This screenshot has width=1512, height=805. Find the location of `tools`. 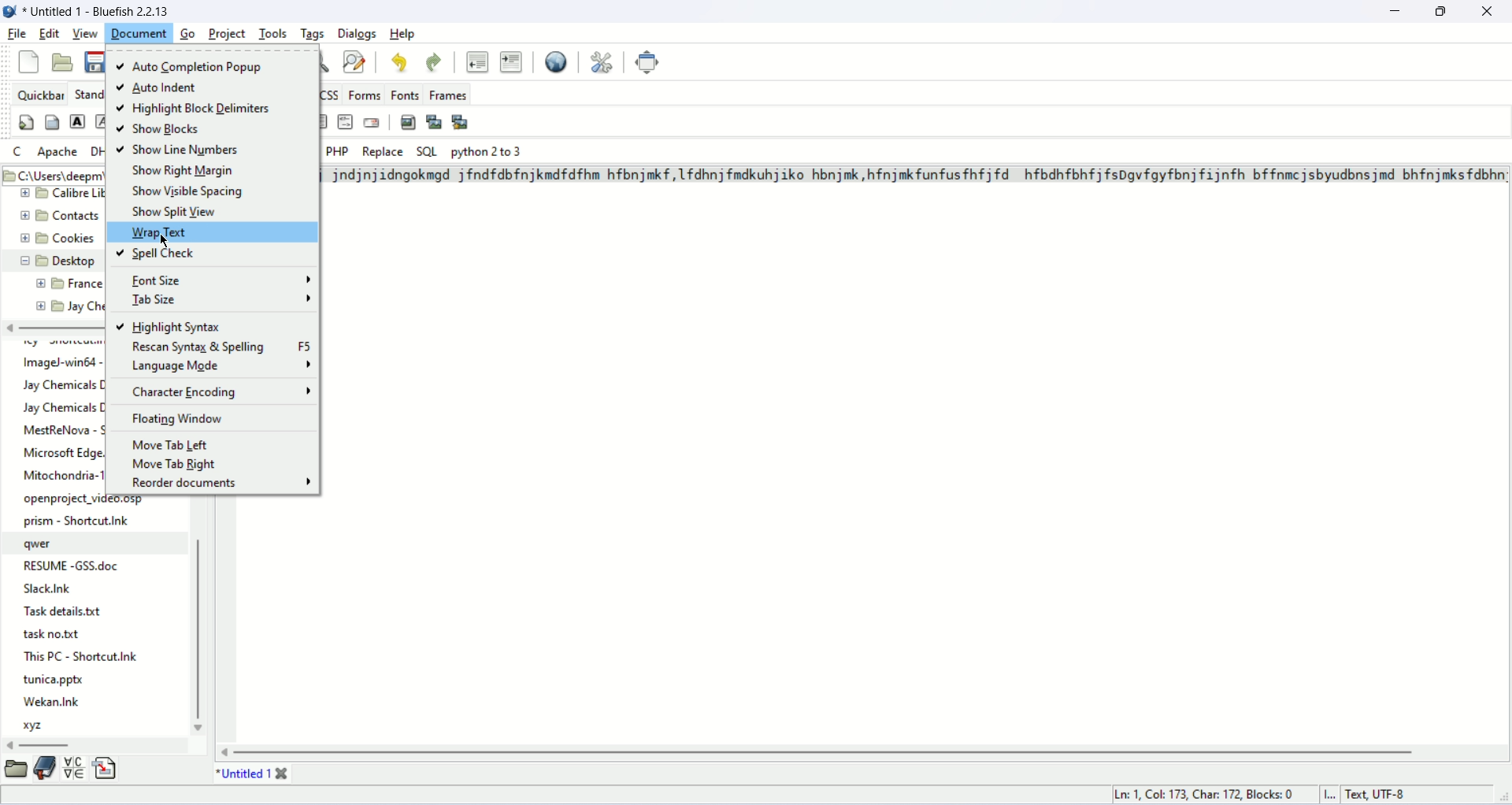

tools is located at coordinates (273, 33).